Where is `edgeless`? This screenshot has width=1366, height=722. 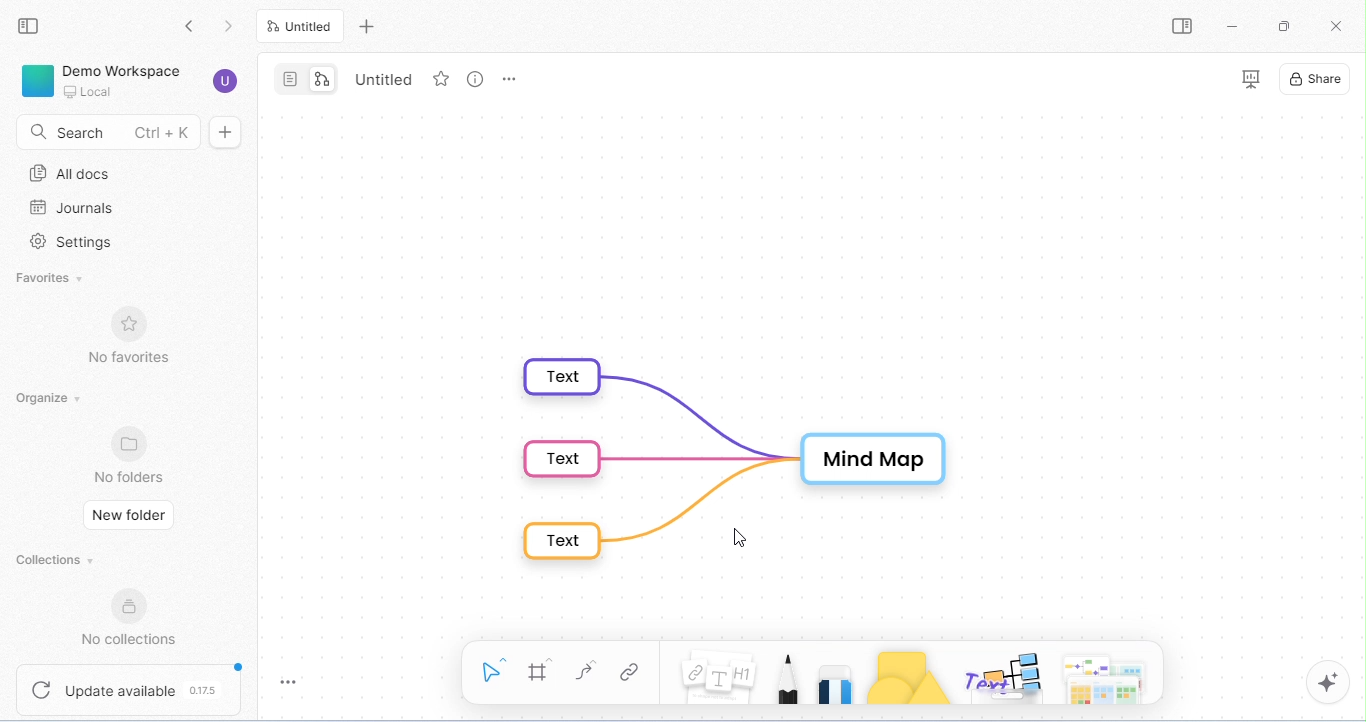 edgeless is located at coordinates (328, 79).